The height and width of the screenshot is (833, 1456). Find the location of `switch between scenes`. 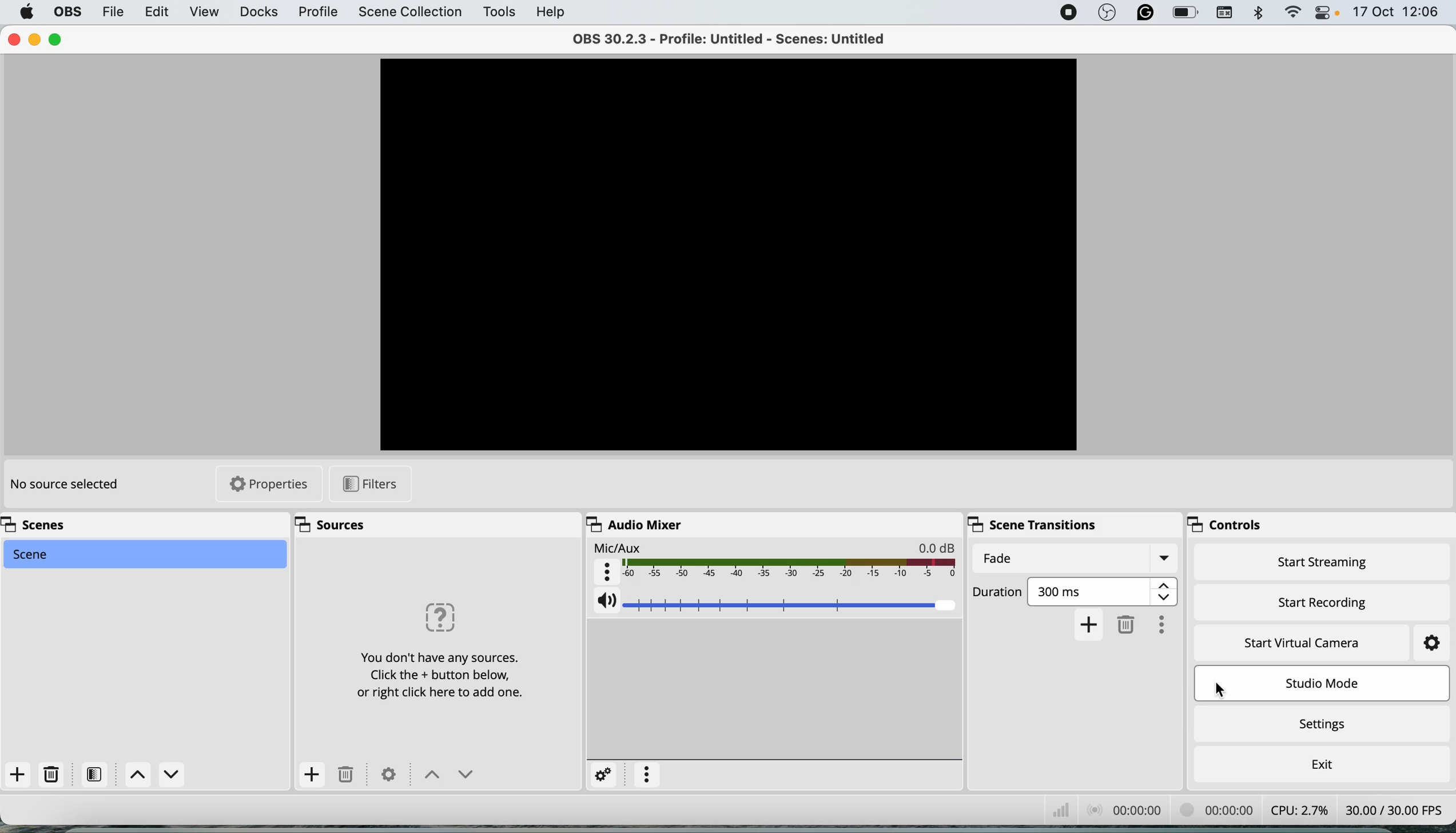

switch between scenes is located at coordinates (158, 774).